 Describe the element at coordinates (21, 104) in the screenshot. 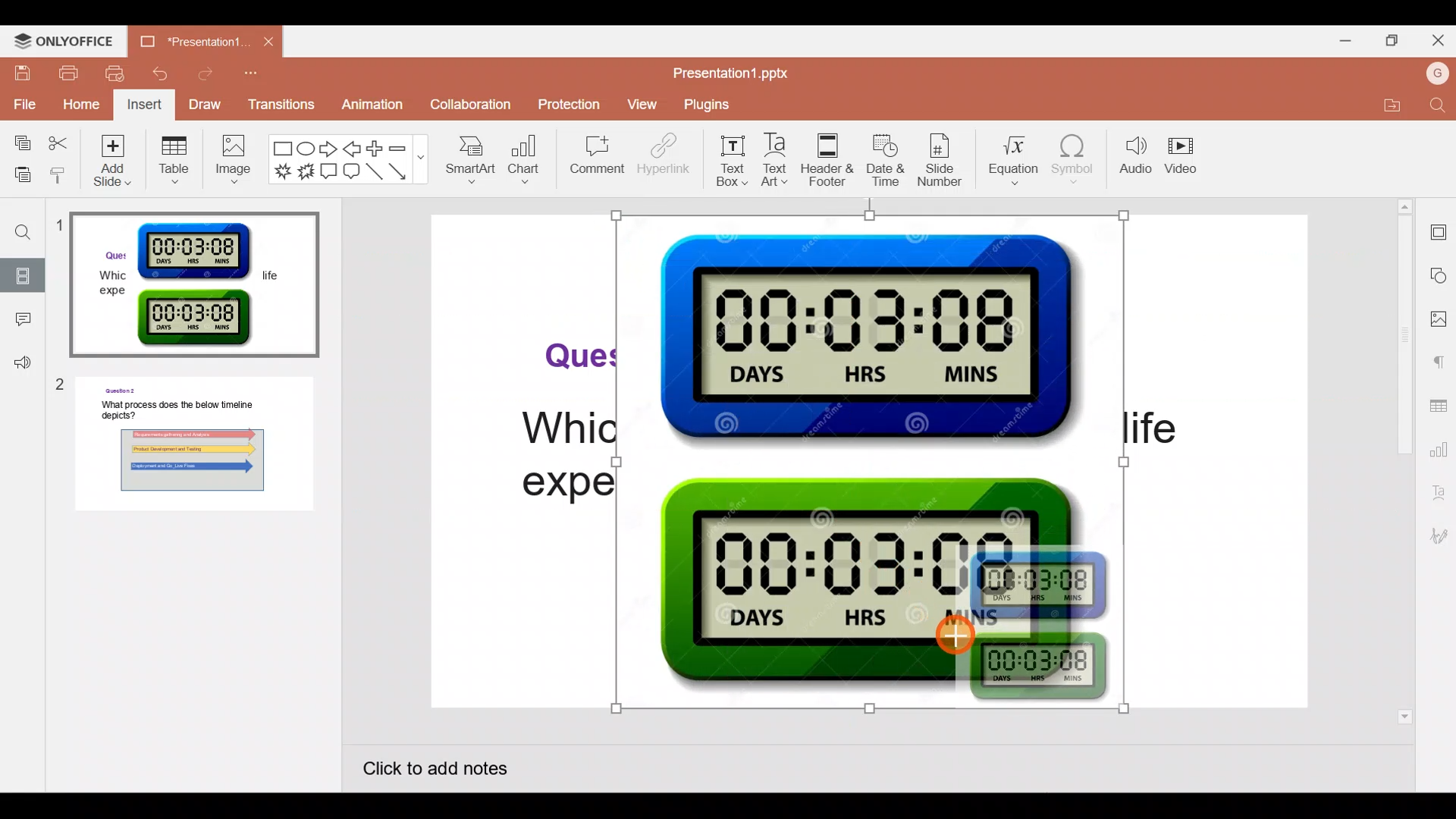

I see `File` at that location.